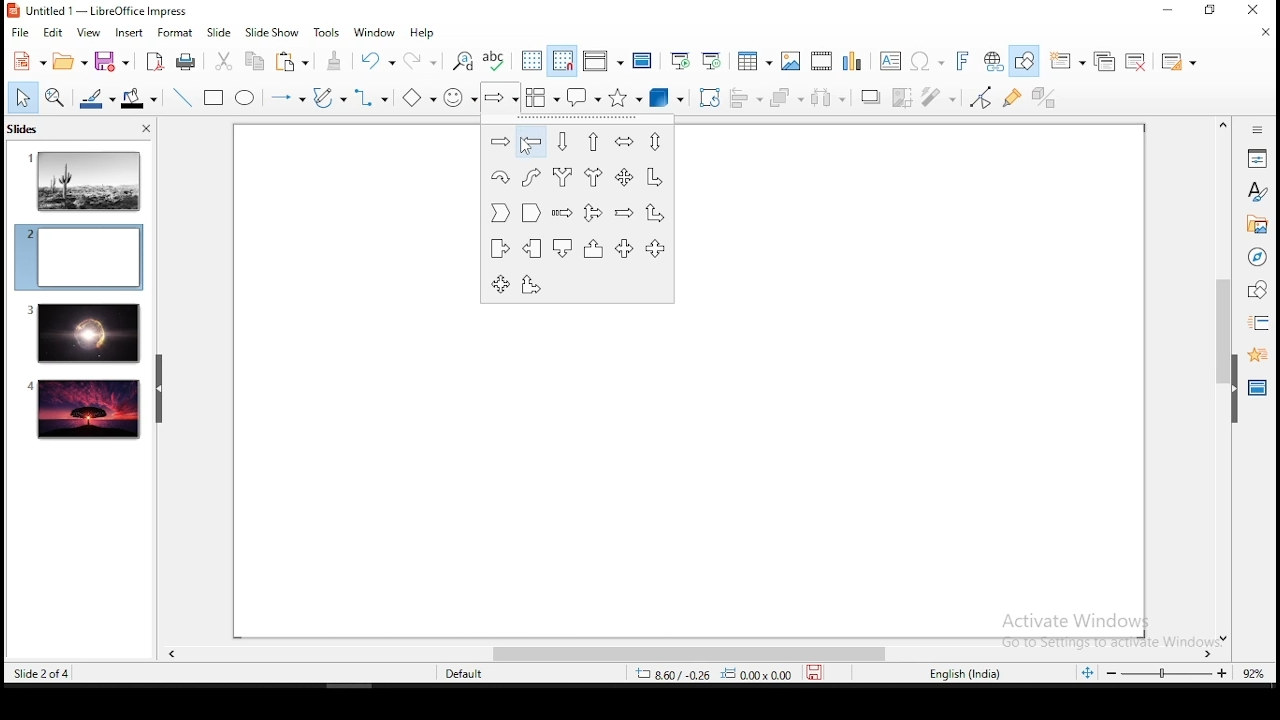 This screenshot has width=1280, height=720. What do you see at coordinates (85, 410) in the screenshot?
I see `slide` at bounding box center [85, 410].